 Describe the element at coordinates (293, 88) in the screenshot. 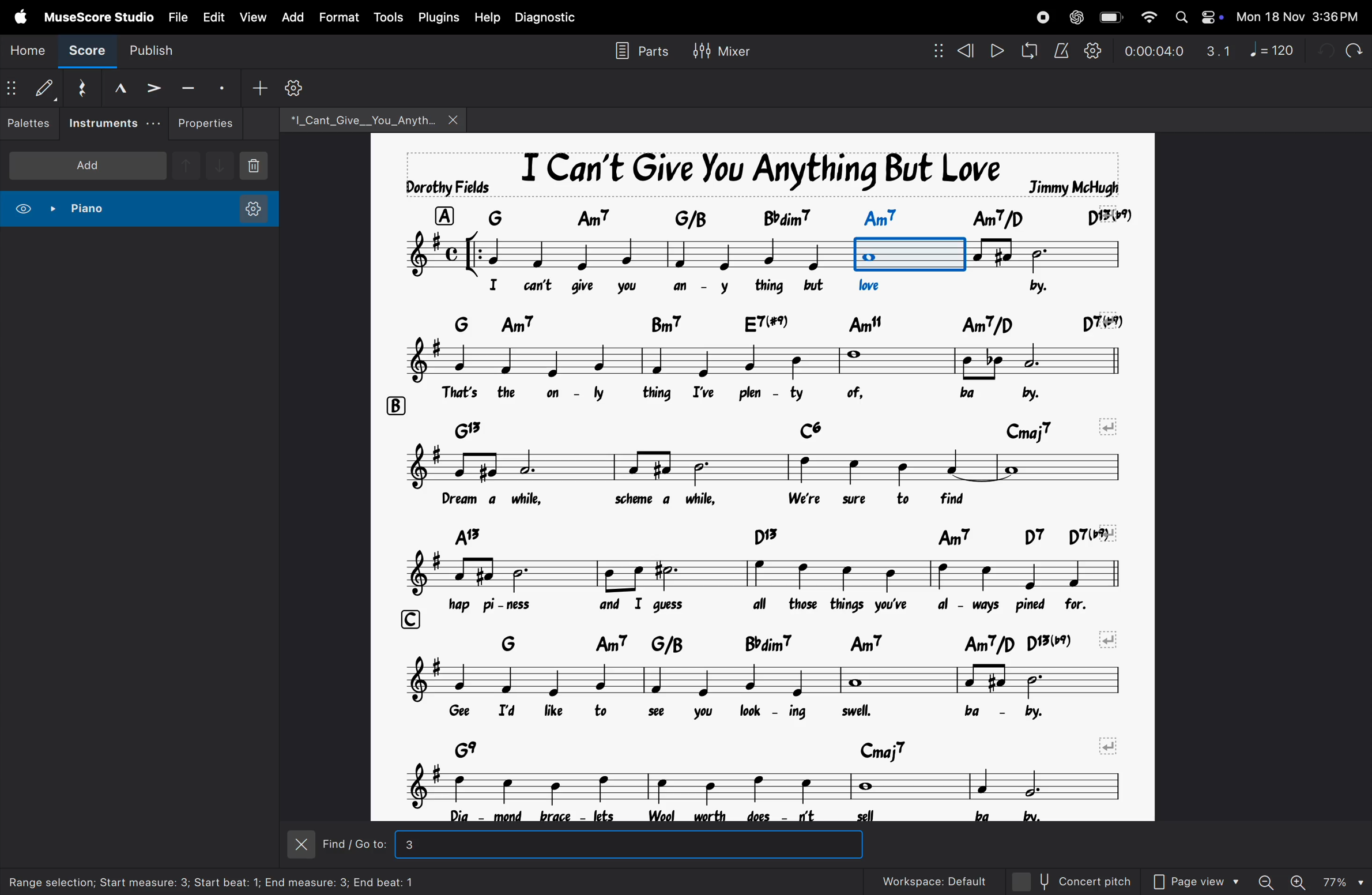

I see `settings` at that location.